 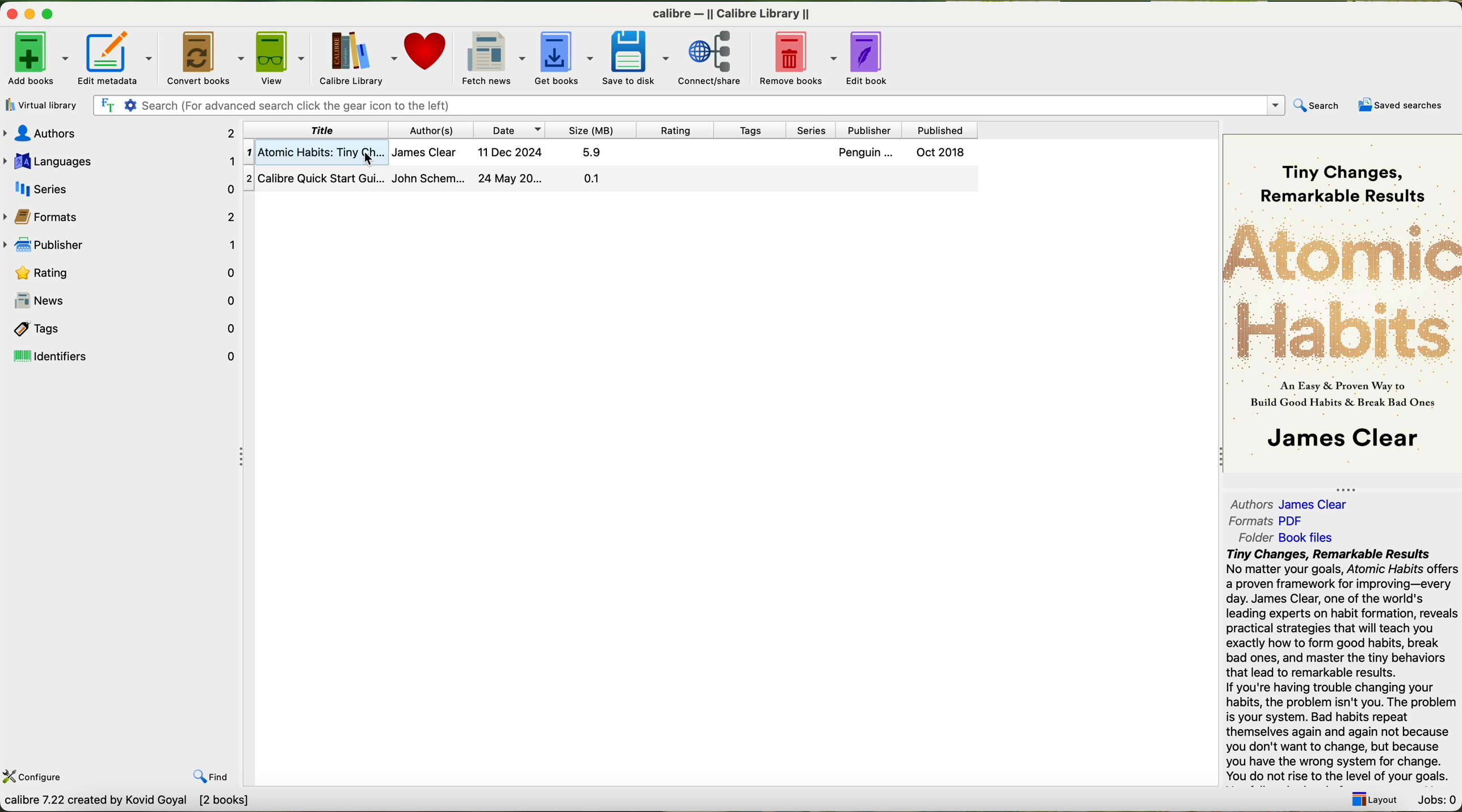 I want to click on tags, so click(x=120, y=330).